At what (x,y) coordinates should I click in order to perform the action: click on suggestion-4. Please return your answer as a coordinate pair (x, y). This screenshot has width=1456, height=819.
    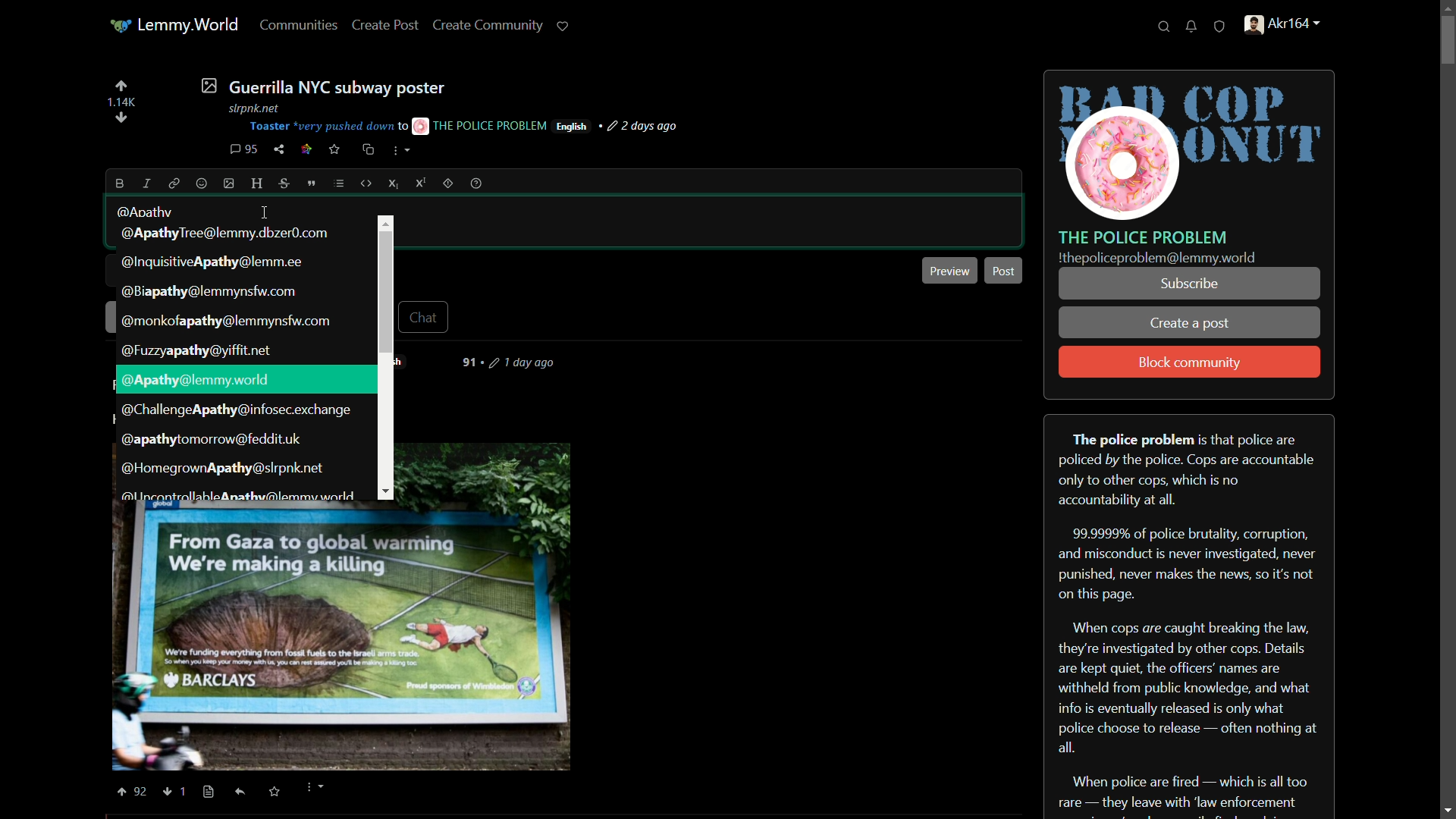
    Looking at the image, I should click on (228, 322).